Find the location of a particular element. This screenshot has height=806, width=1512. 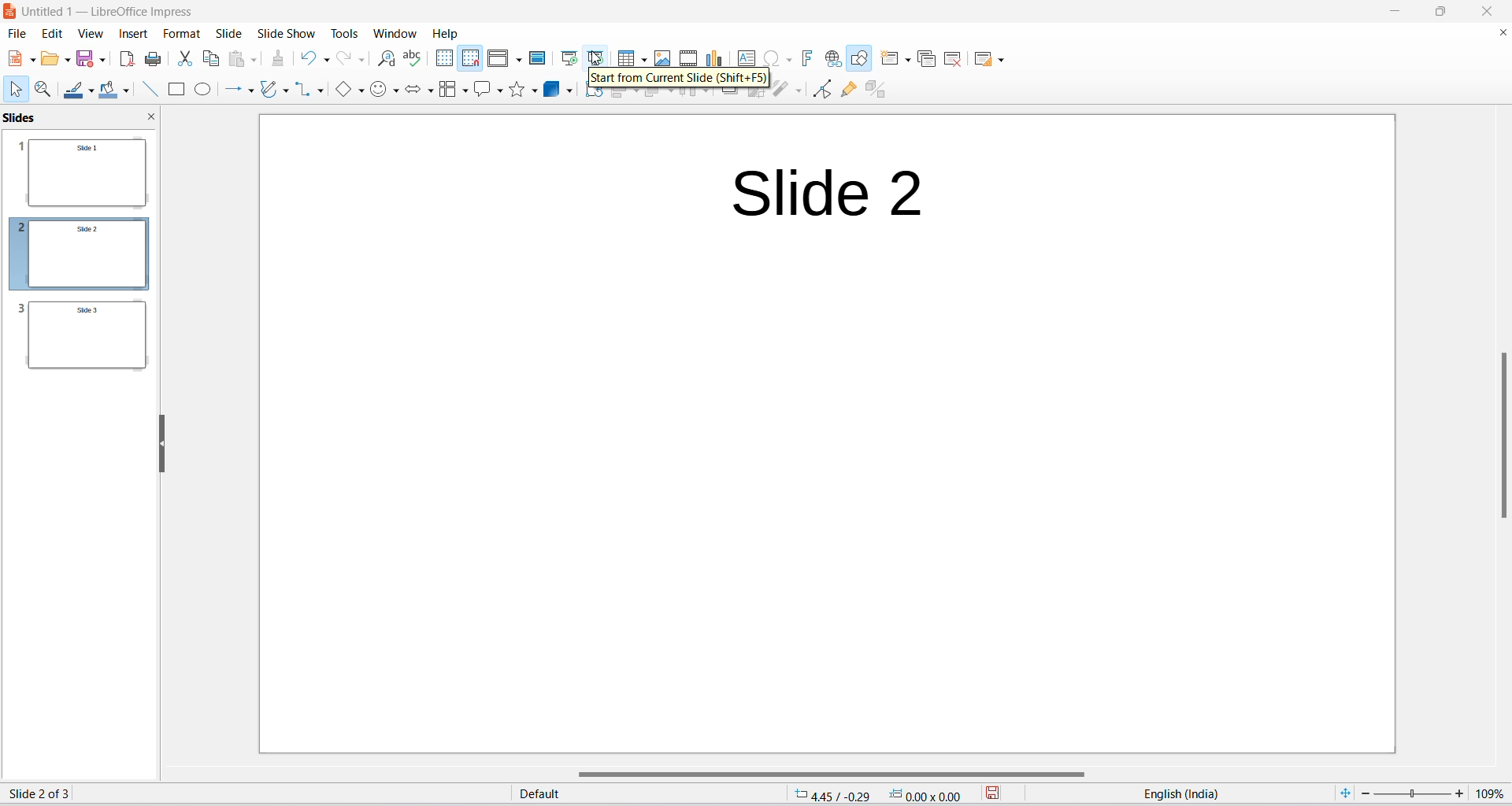

insert table is located at coordinates (622, 57).